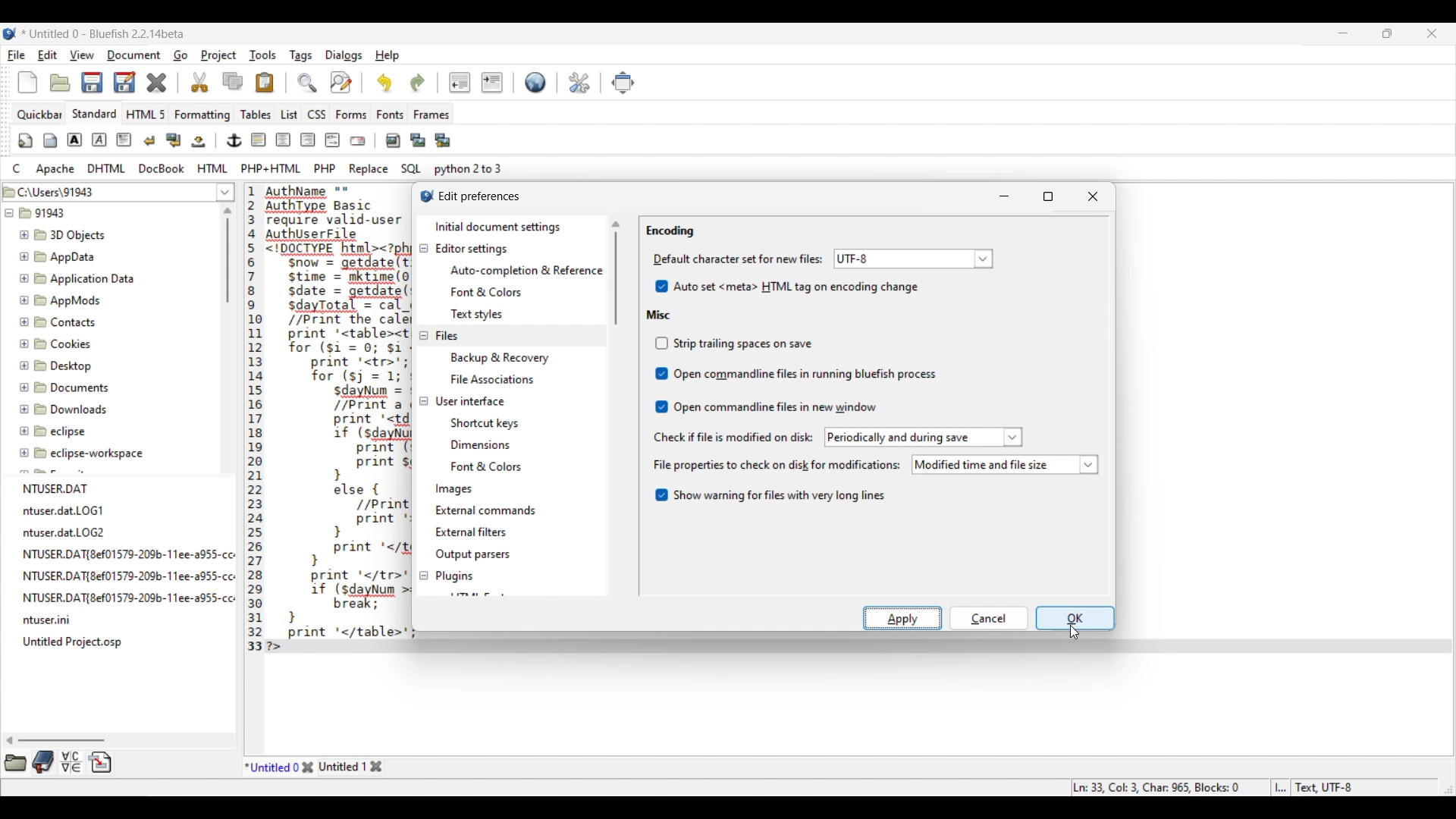 This screenshot has width=1456, height=819. Describe the element at coordinates (10, 33) in the screenshot. I see `Software logo` at that location.